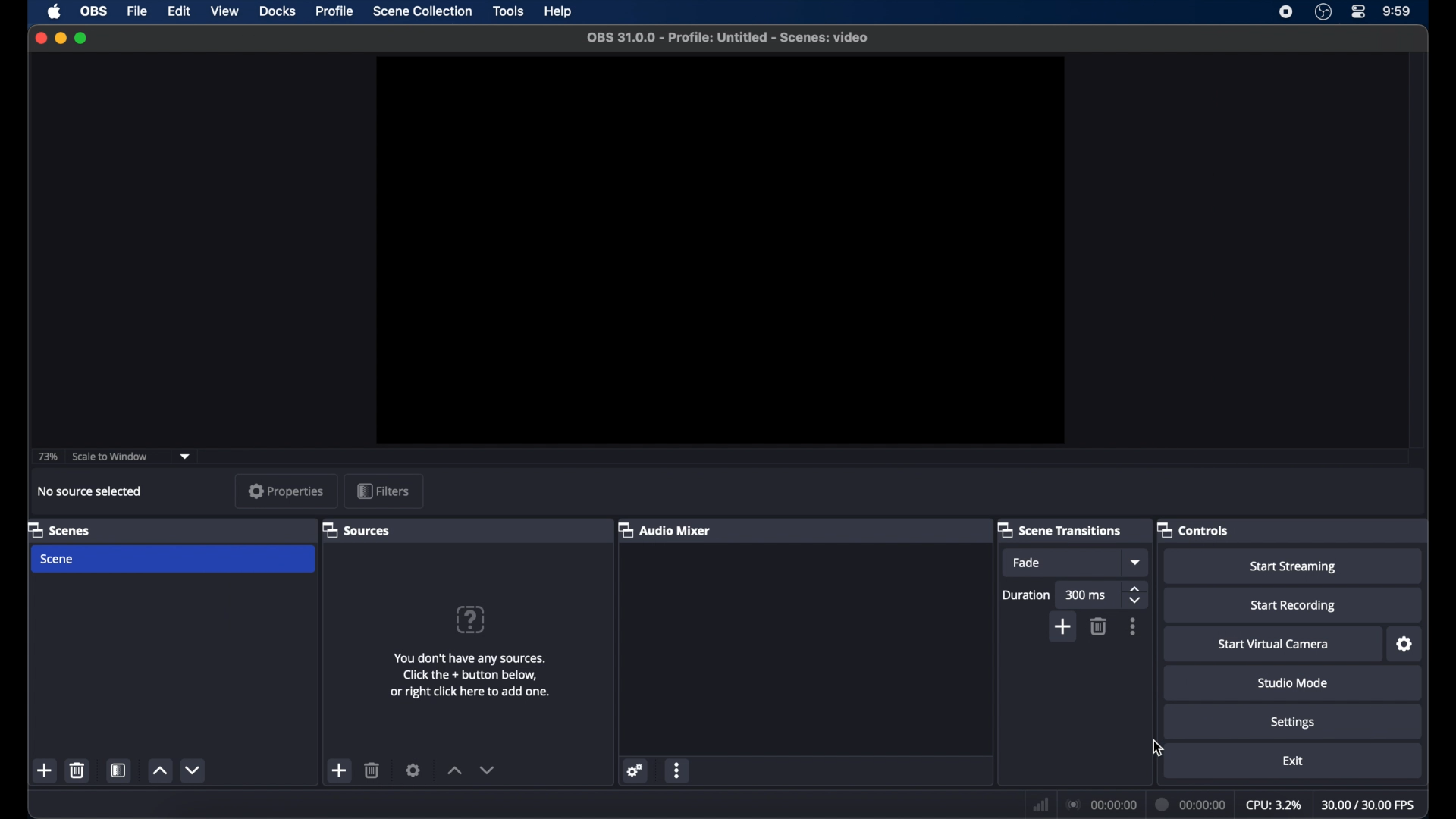  Describe the element at coordinates (635, 772) in the screenshot. I see `settings` at that location.